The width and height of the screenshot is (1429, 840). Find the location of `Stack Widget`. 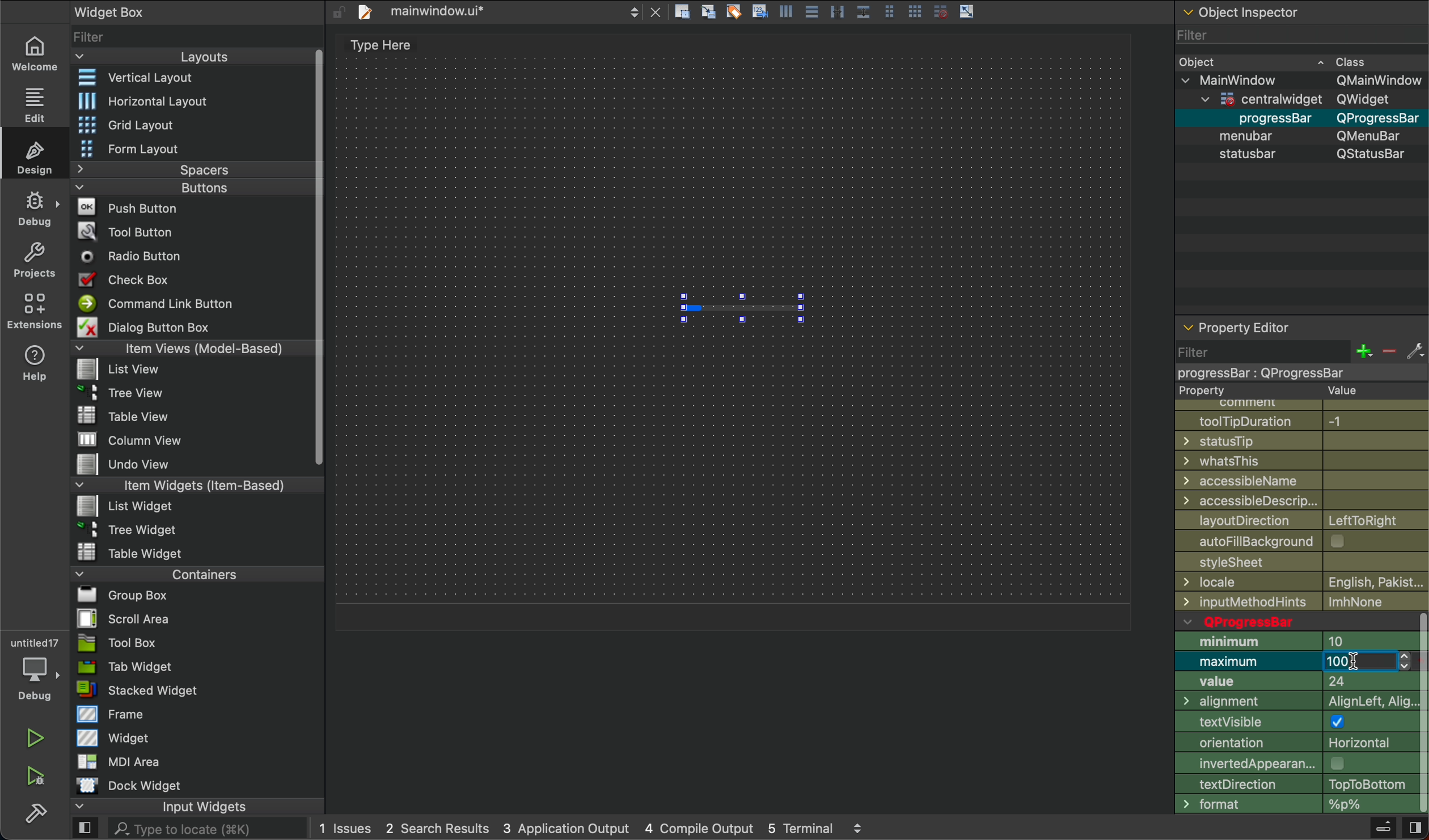

Stack Widget is located at coordinates (177, 690).